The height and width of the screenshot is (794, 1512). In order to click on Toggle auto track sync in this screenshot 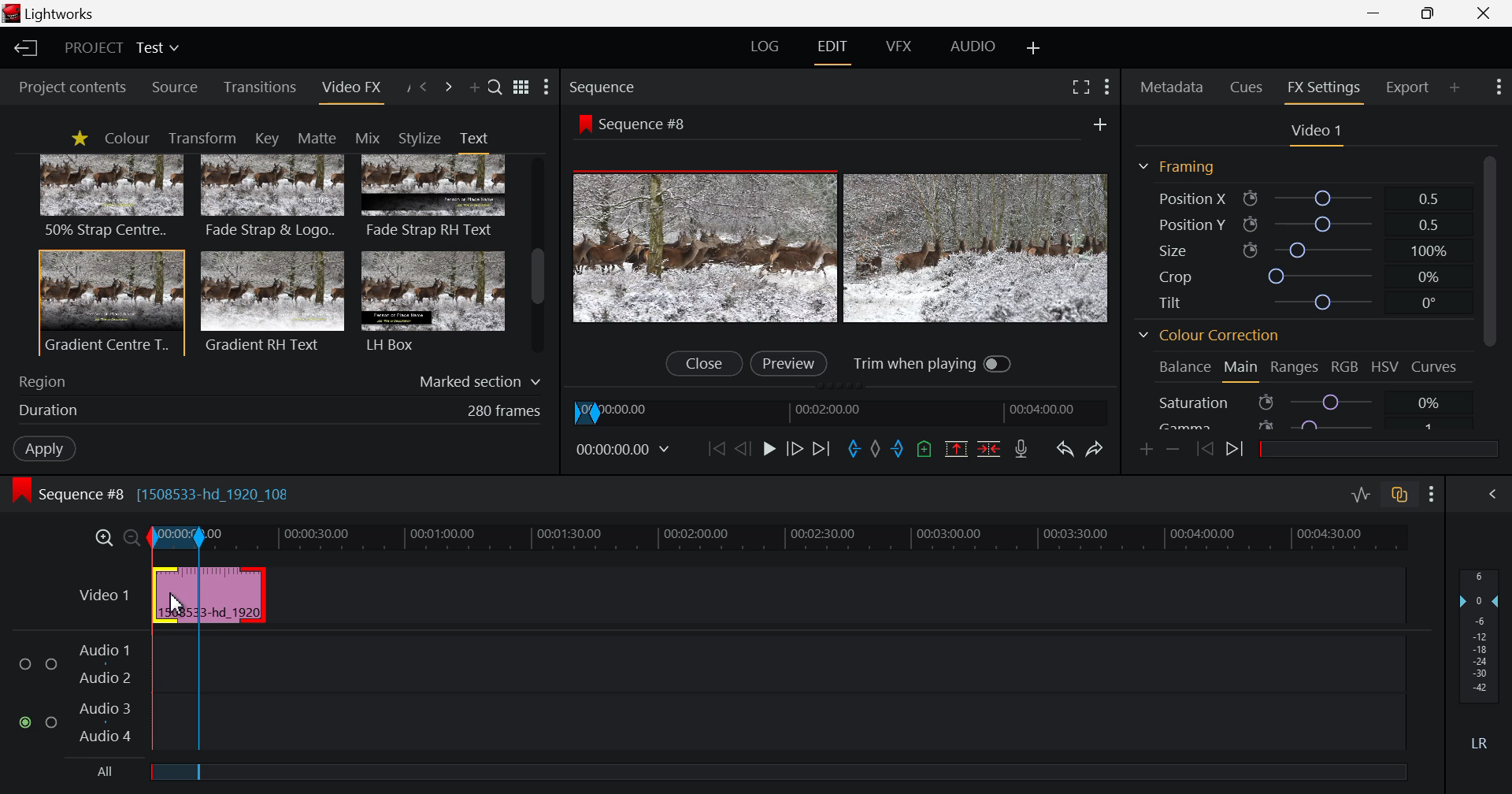, I will do `click(1402, 497)`.